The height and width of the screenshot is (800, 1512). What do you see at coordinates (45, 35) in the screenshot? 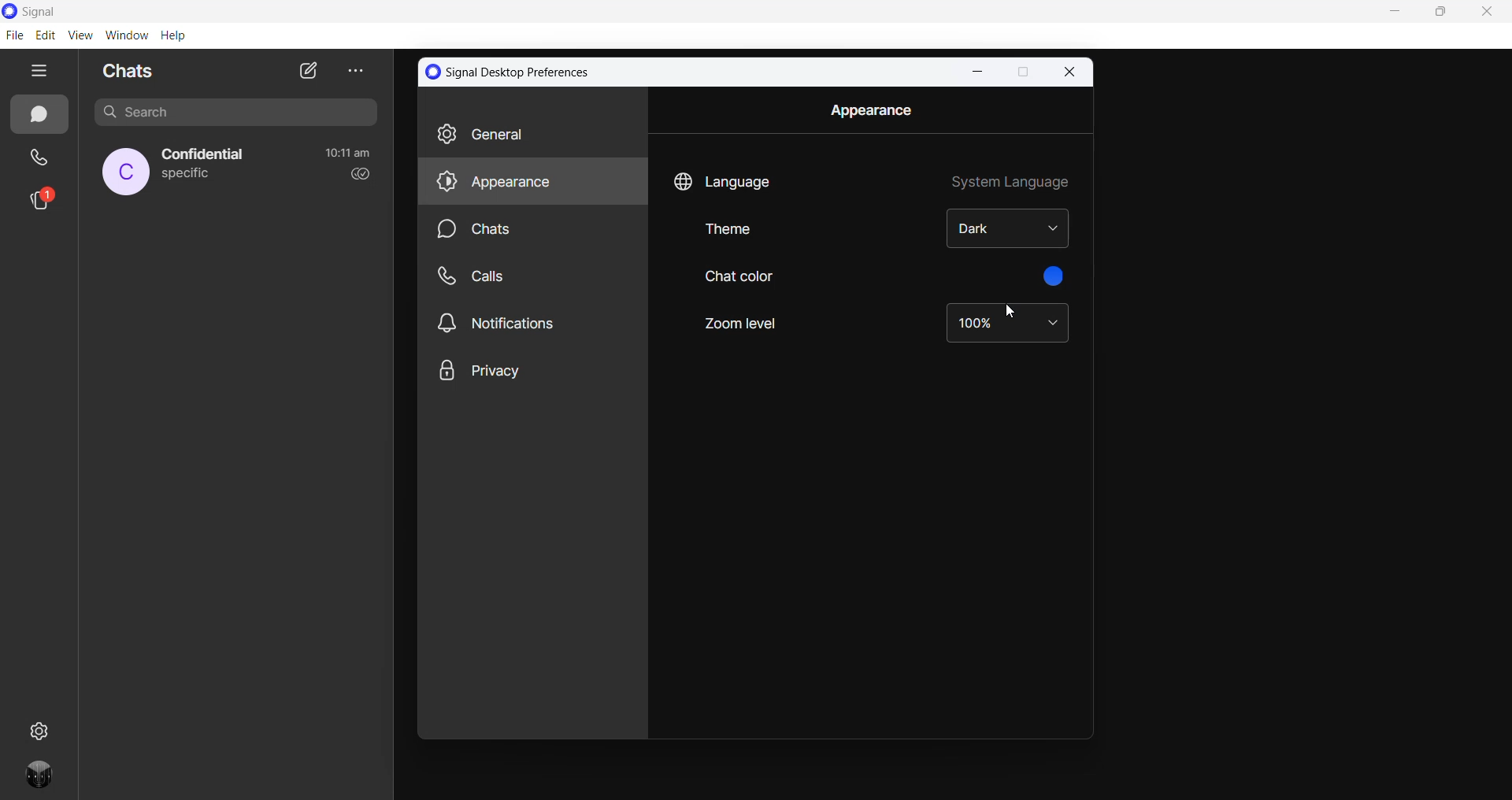
I see `edit` at bounding box center [45, 35].